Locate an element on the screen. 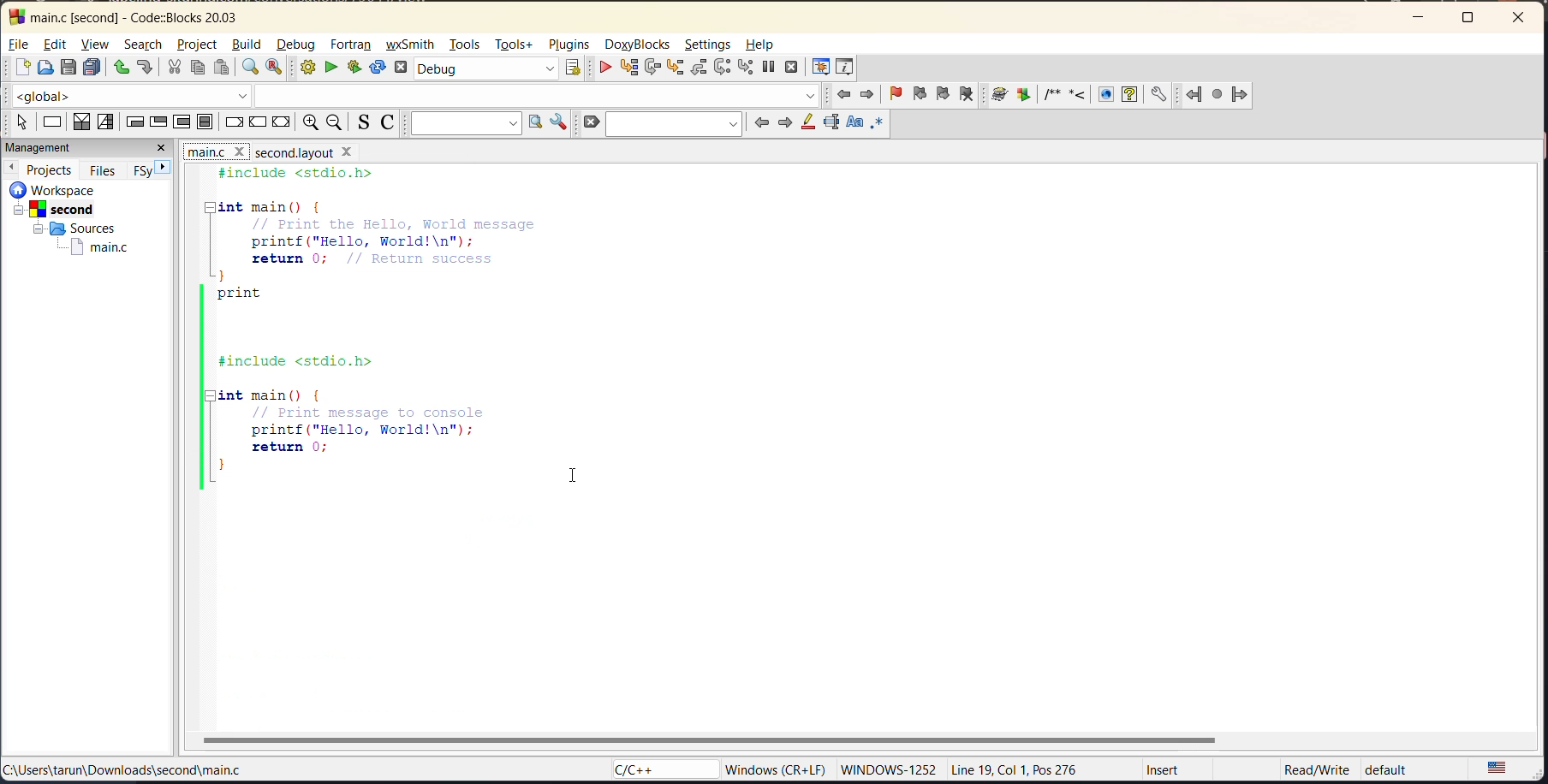 Image resolution: width=1548 pixels, height=784 pixels. text language is located at coordinates (1504, 767).